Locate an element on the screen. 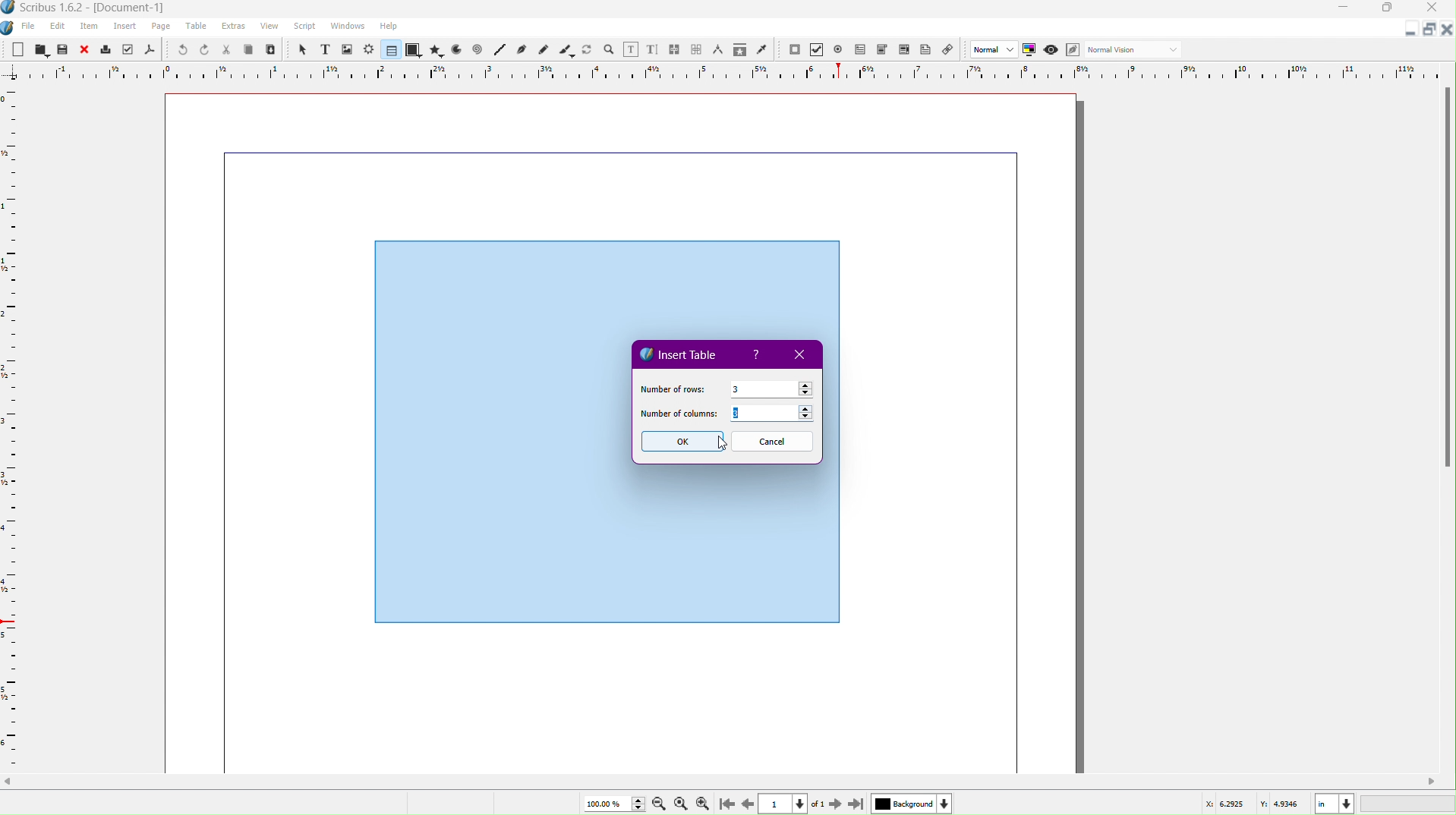 The height and width of the screenshot is (815, 1456). Table is located at coordinates (198, 27).